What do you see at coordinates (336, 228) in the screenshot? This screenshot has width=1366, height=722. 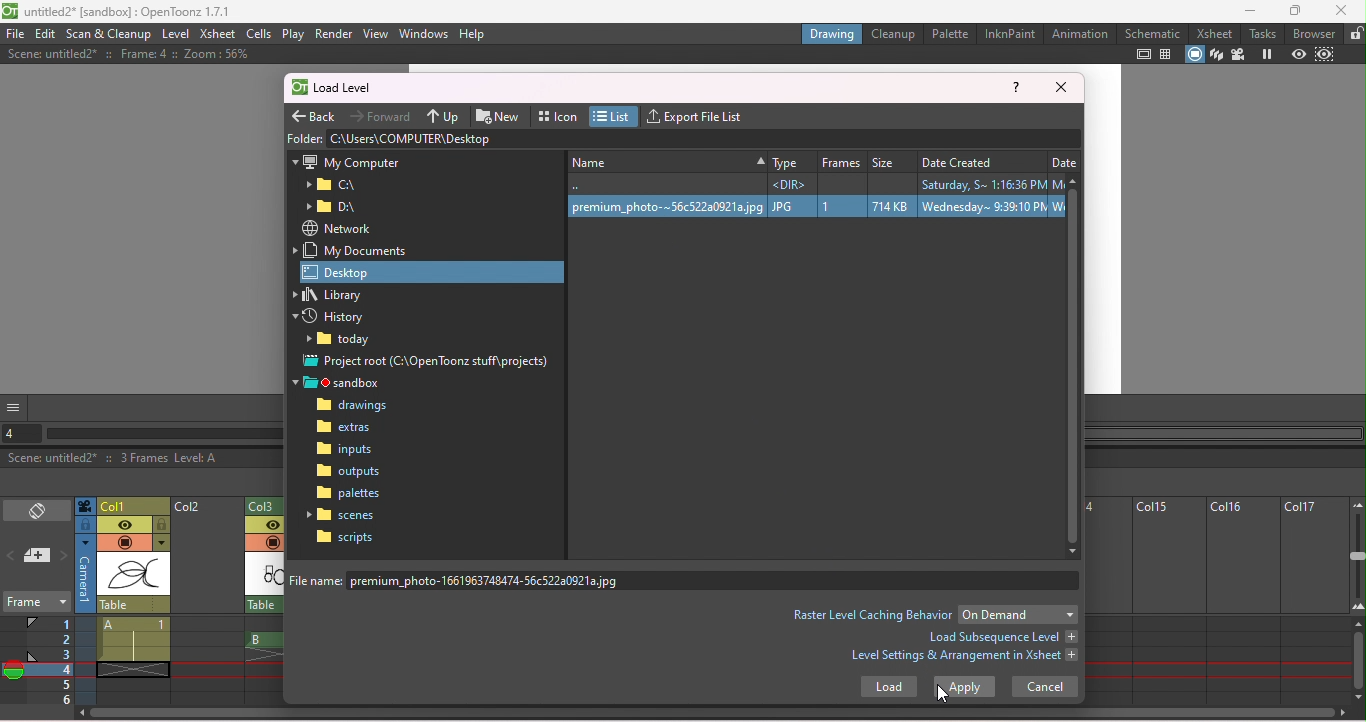 I see `Network` at bounding box center [336, 228].